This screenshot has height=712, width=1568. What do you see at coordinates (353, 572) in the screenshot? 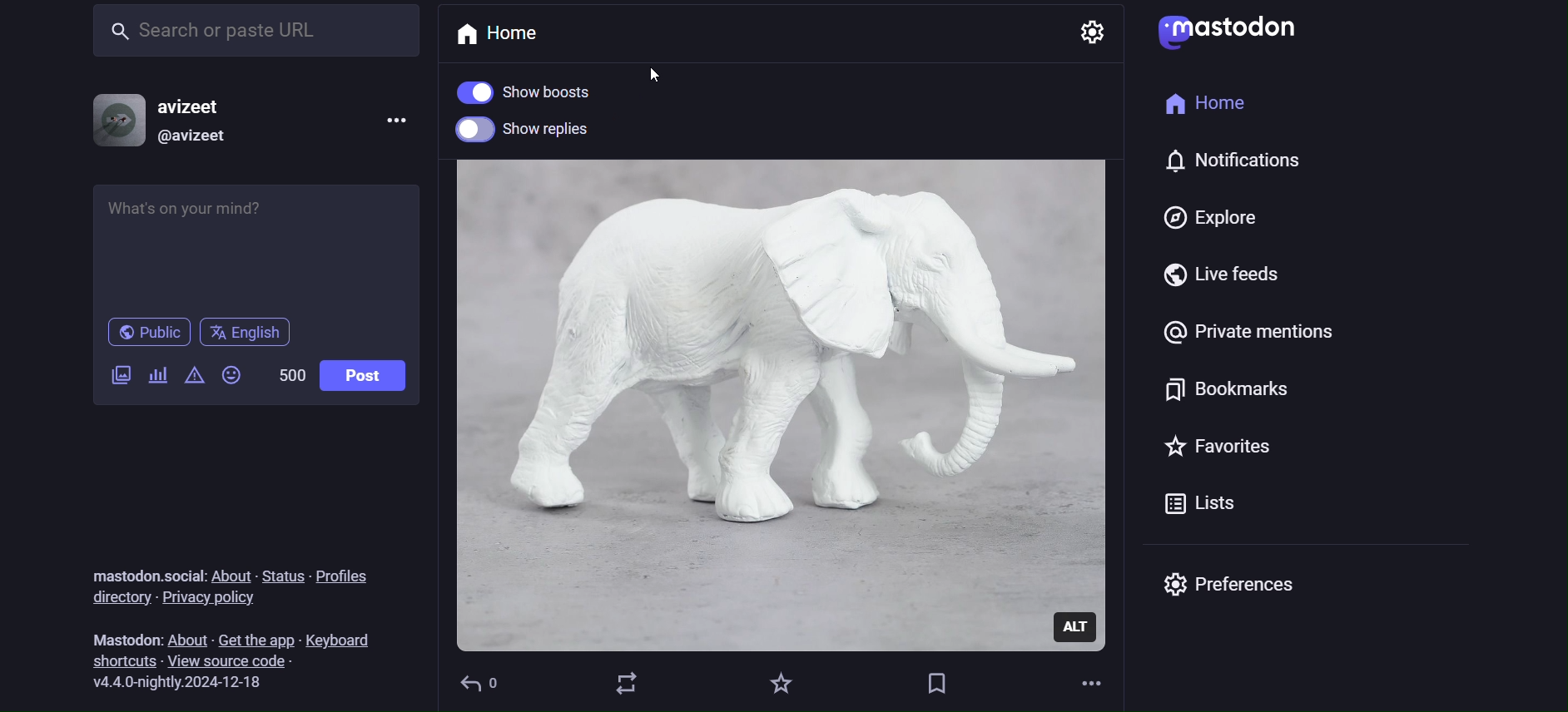
I see `profiles` at bounding box center [353, 572].